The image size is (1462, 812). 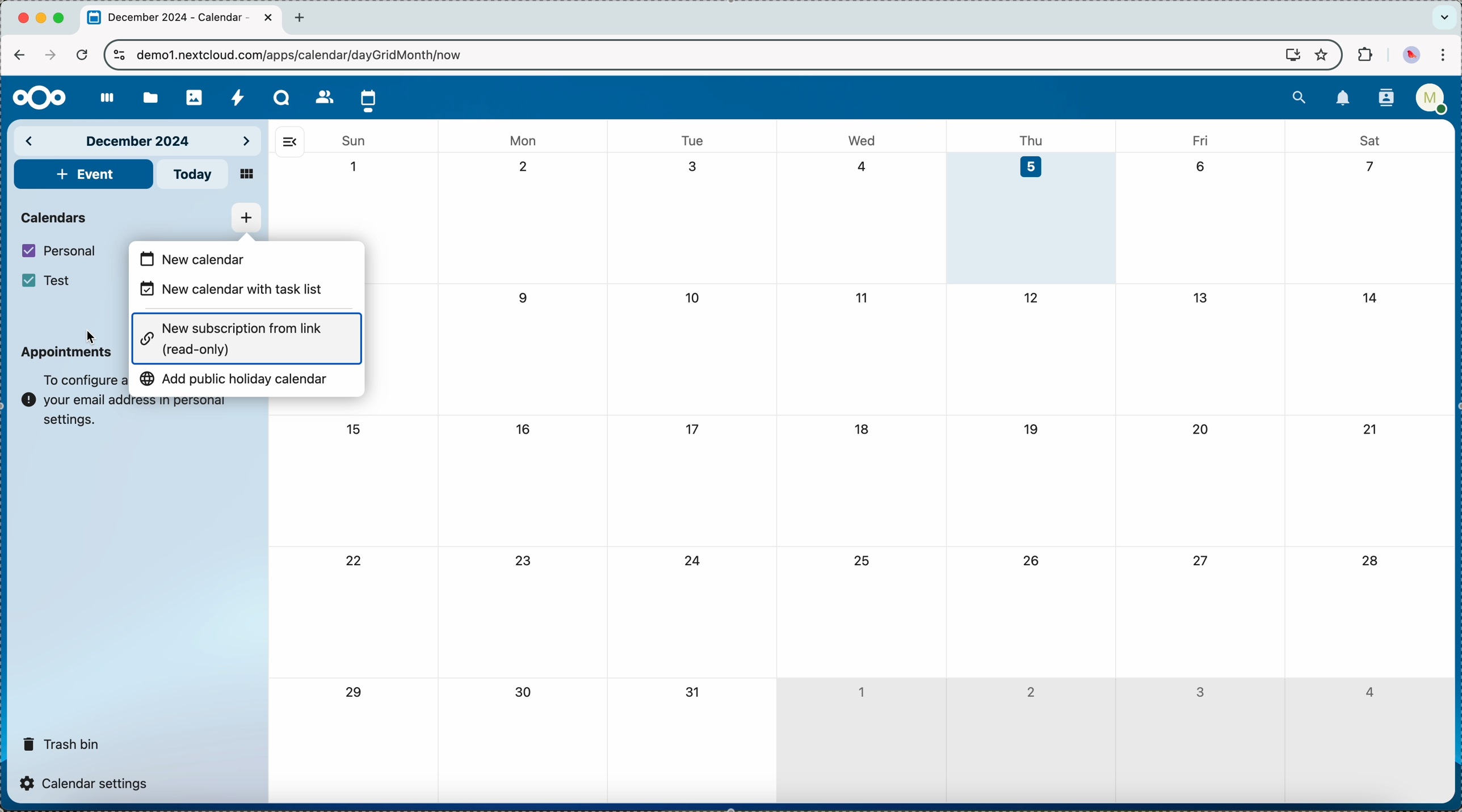 I want to click on 3, so click(x=1200, y=693).